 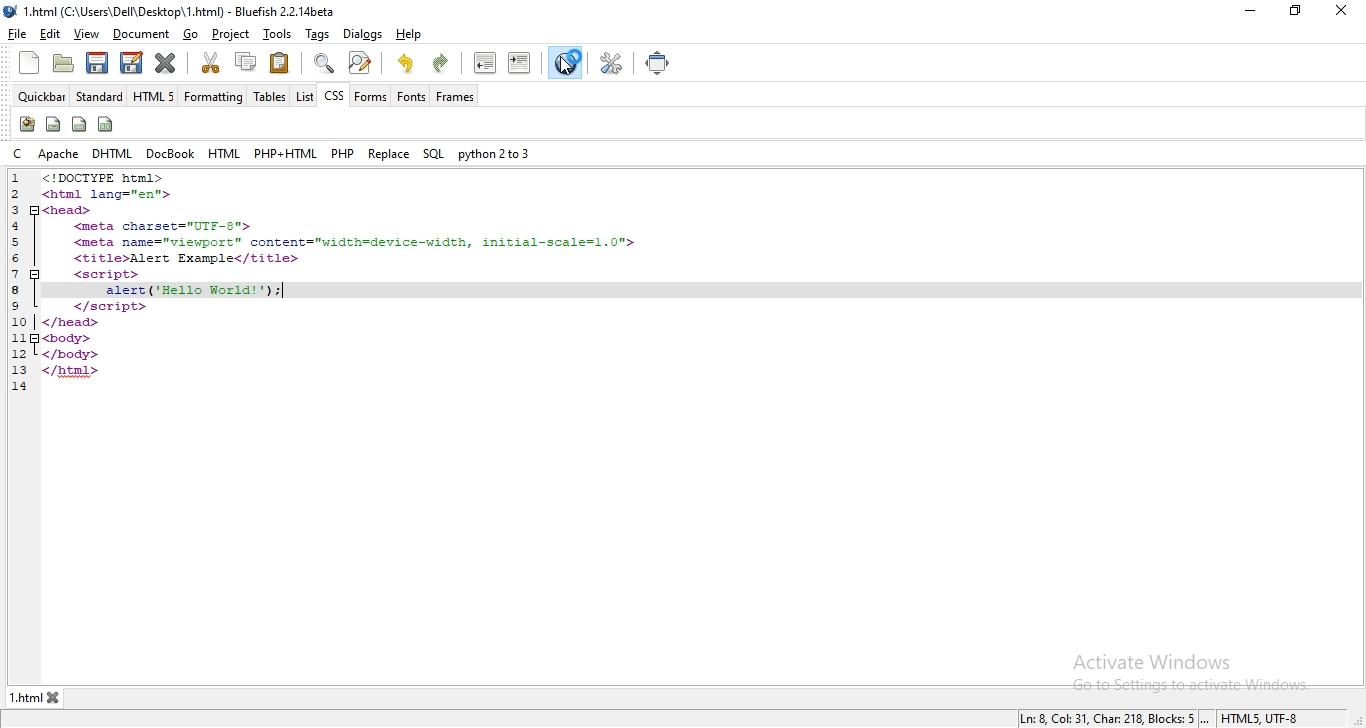 What do you see at coordinates (522, 61) in the screenshot?
I see `indent` at bounding box center [522, 61].